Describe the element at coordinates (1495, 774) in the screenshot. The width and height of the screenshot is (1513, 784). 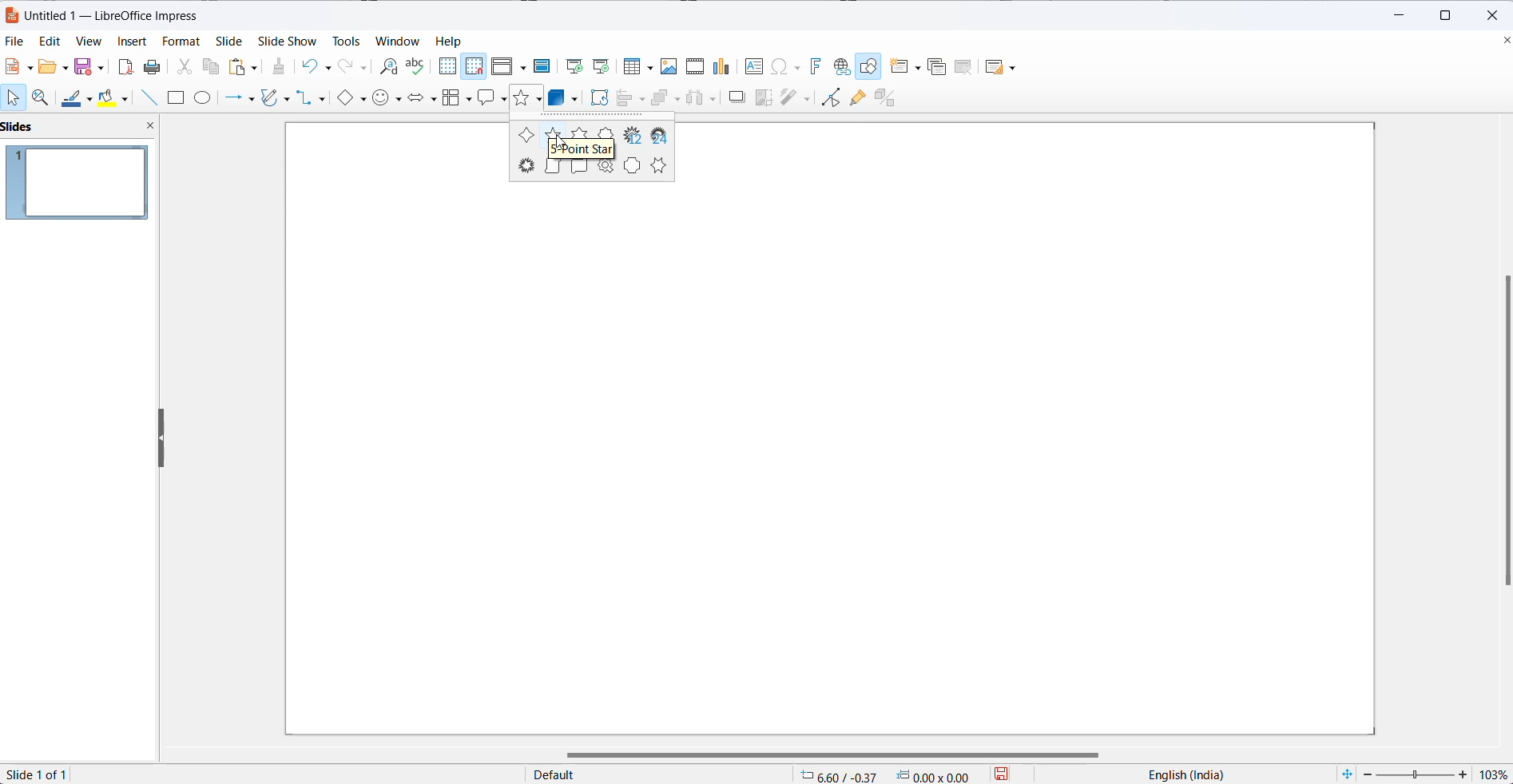
I see `zoom percentage` at that location.